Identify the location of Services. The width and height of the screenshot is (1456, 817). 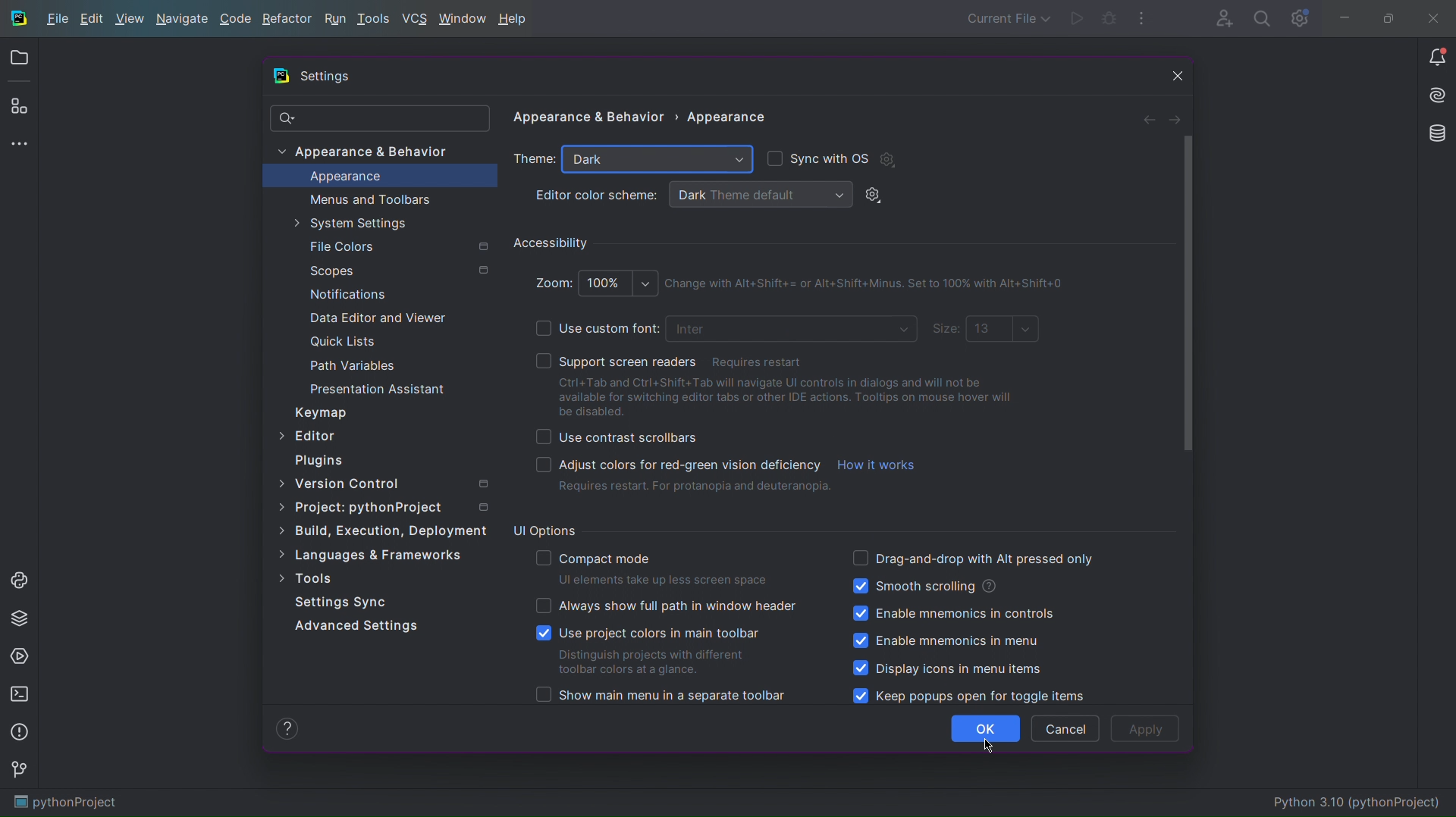
(20, 656).